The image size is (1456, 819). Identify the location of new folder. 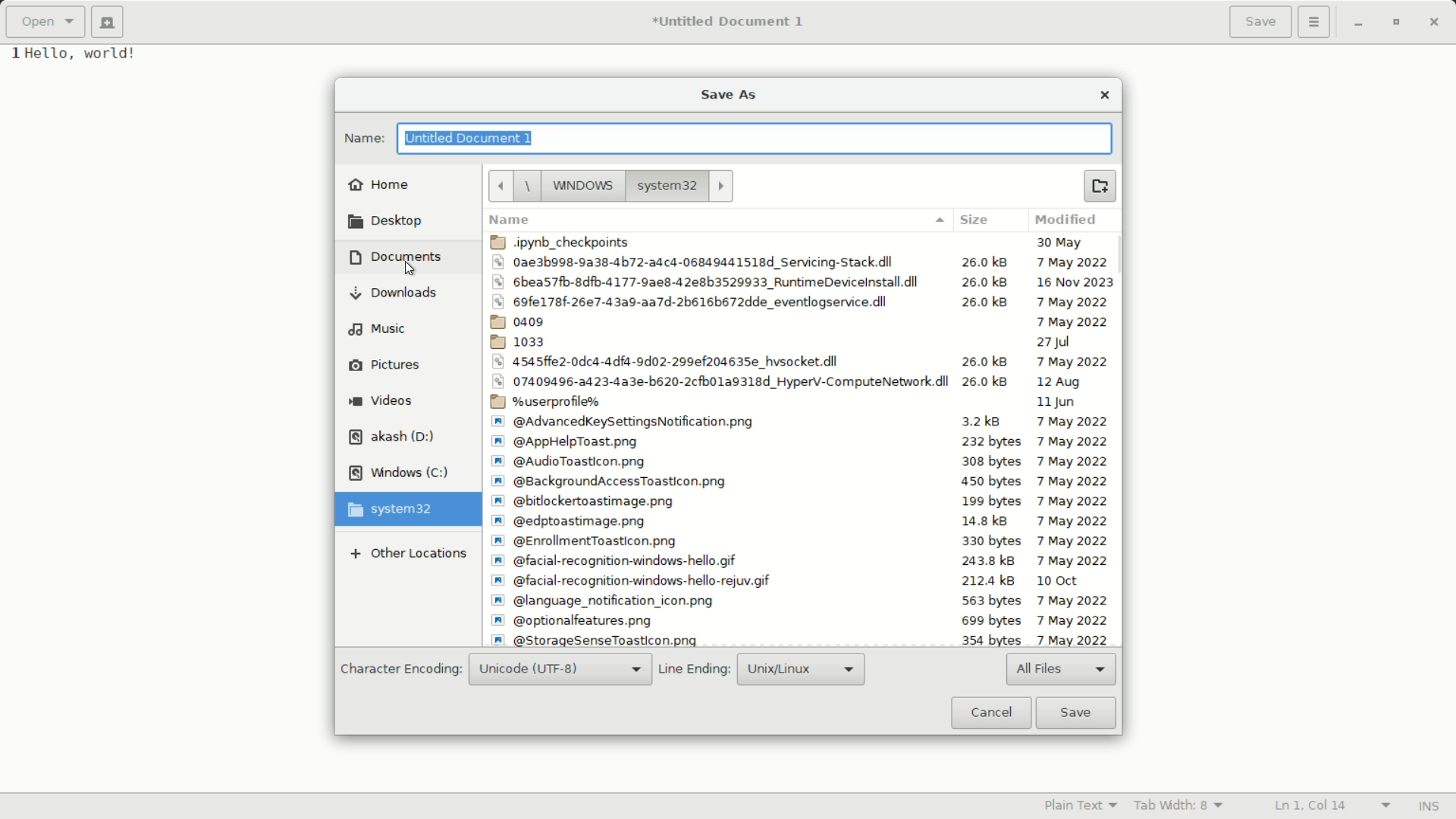
(1100, 186).